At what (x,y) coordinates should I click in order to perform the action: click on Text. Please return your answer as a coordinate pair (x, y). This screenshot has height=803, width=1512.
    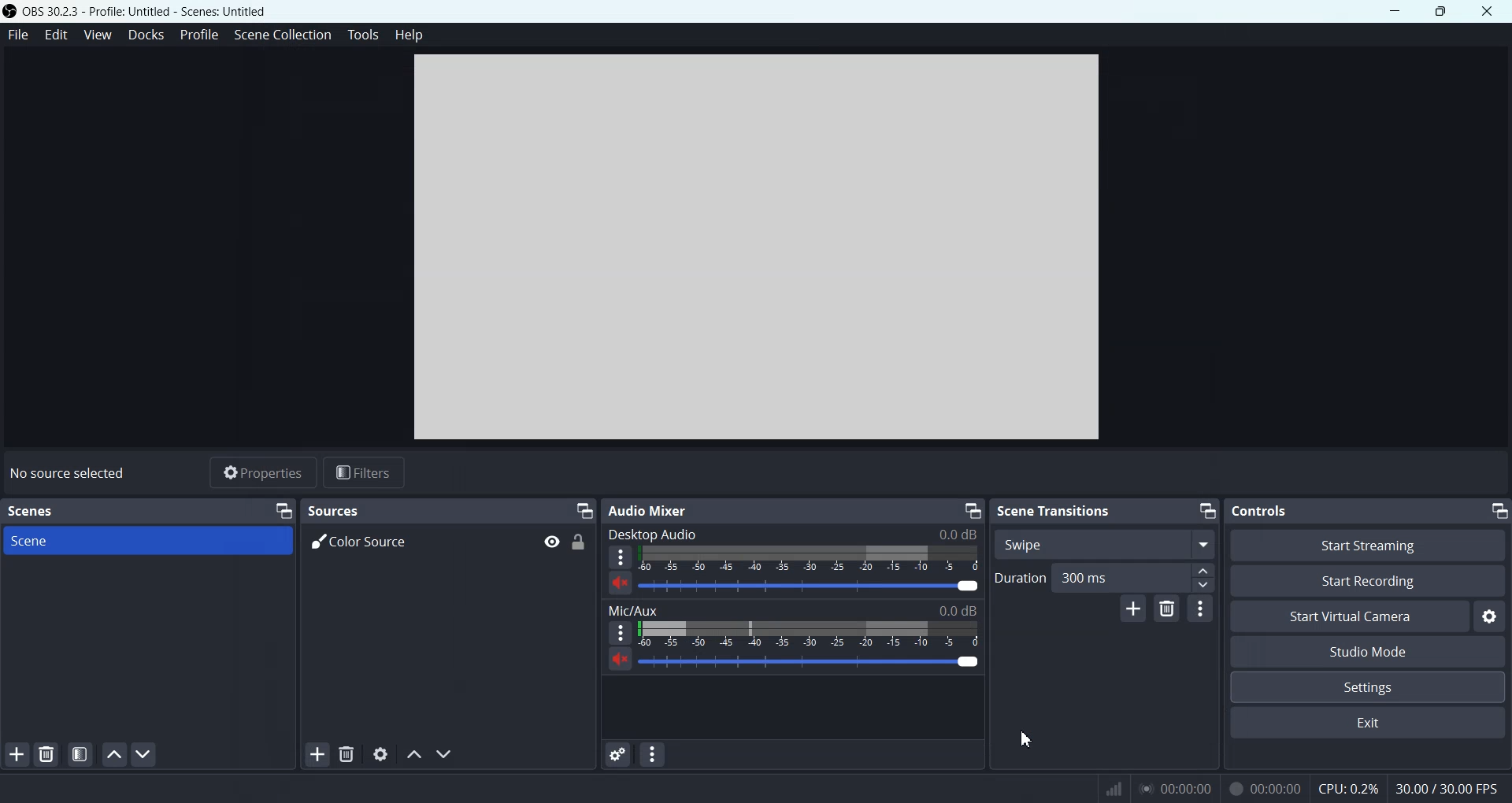
    Looking at the image, I should click on (33, 511).